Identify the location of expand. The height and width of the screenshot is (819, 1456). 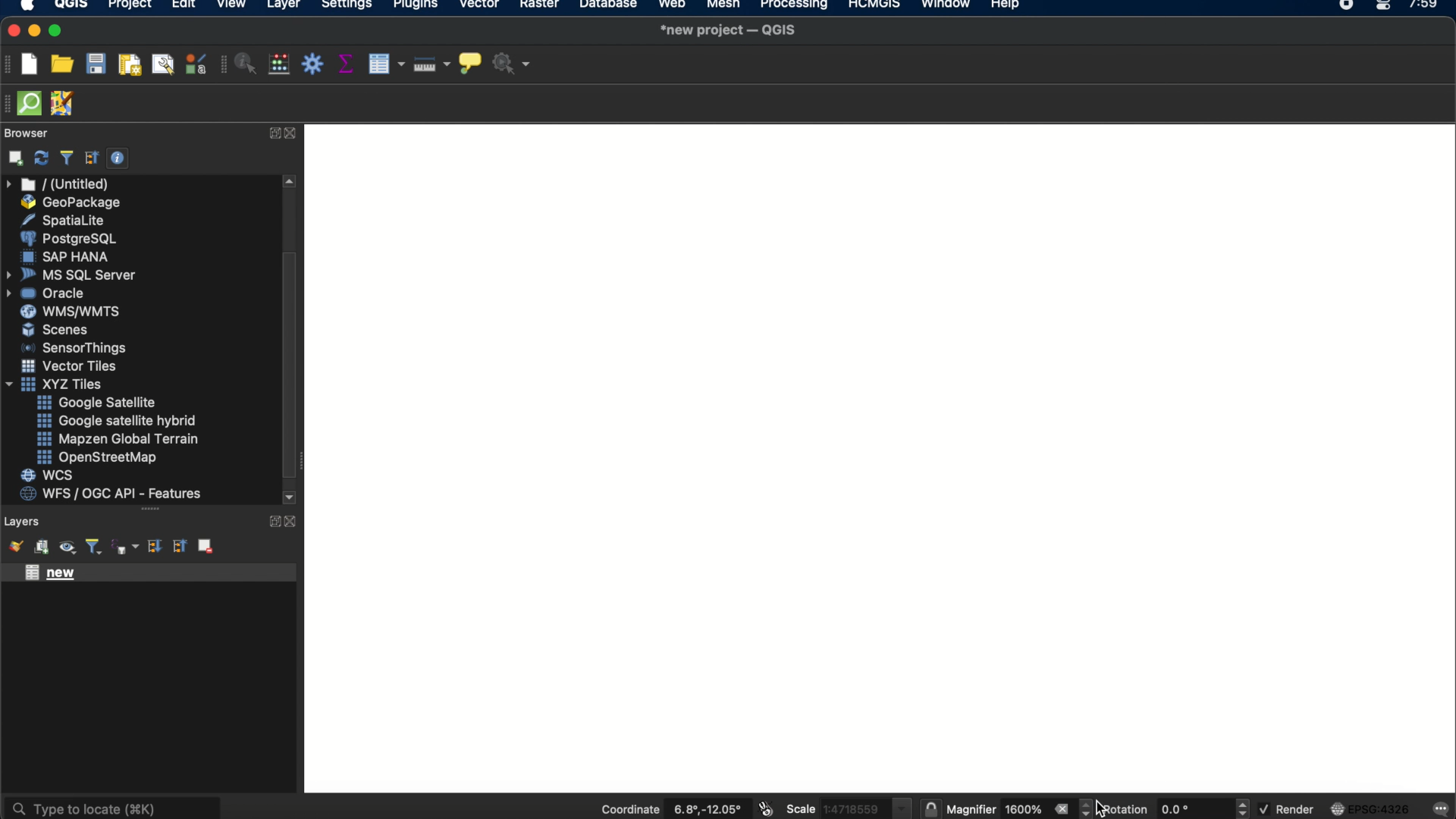
(271, 521).